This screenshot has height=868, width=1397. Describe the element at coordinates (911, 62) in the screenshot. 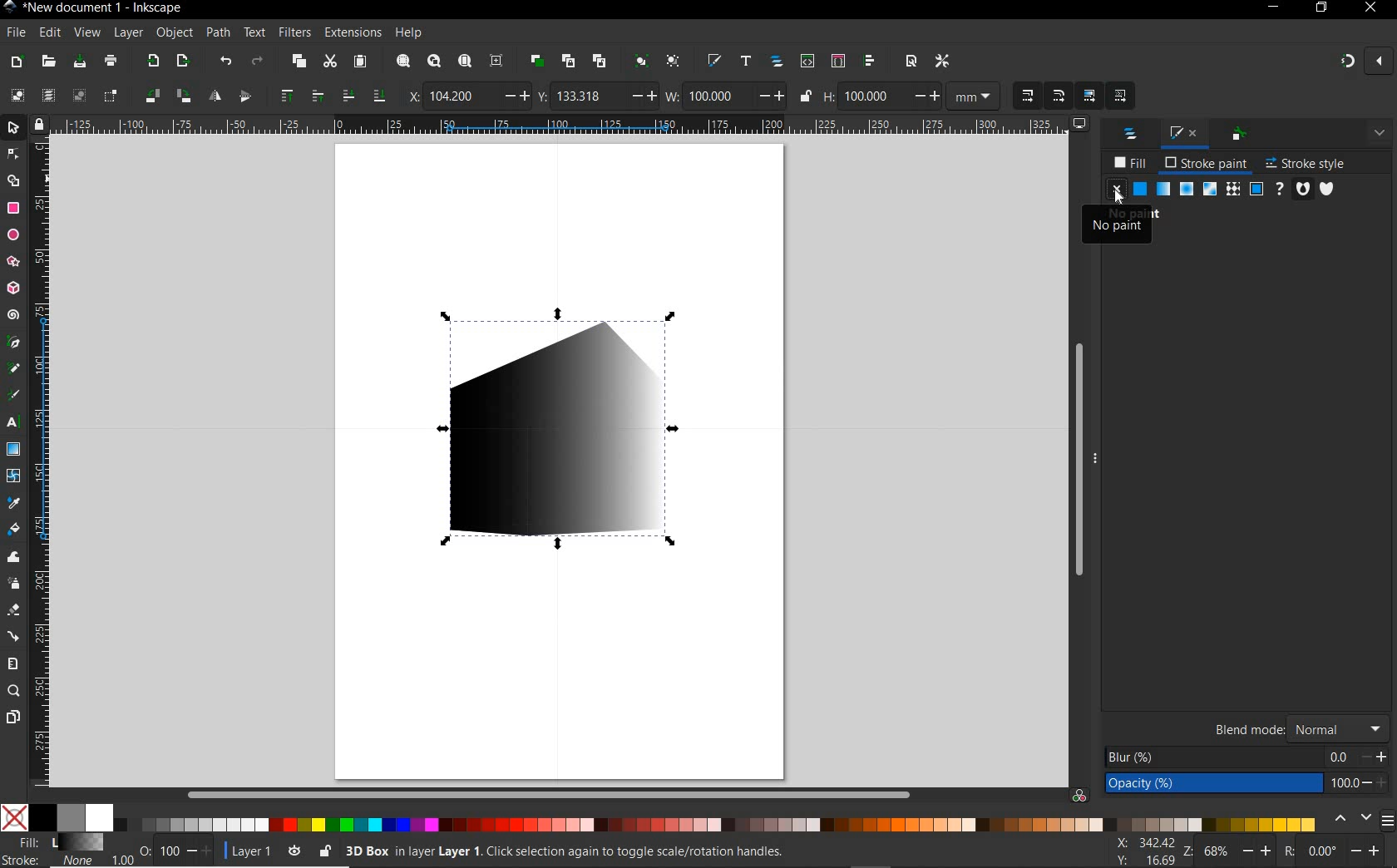

I see `OPEN DOCUMENTS PROPERTIES` at that location.